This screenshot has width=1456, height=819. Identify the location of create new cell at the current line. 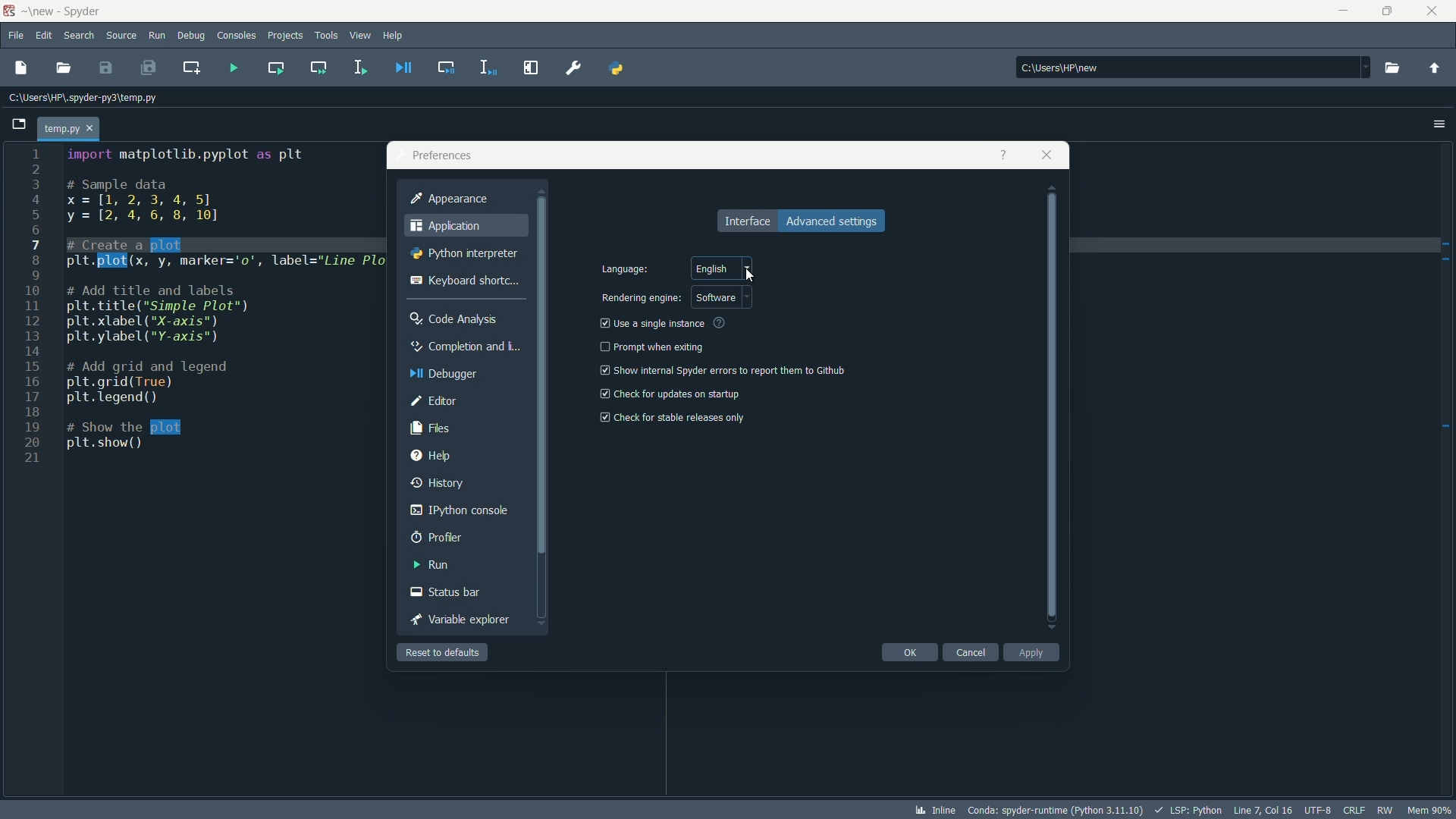
(190, 67).